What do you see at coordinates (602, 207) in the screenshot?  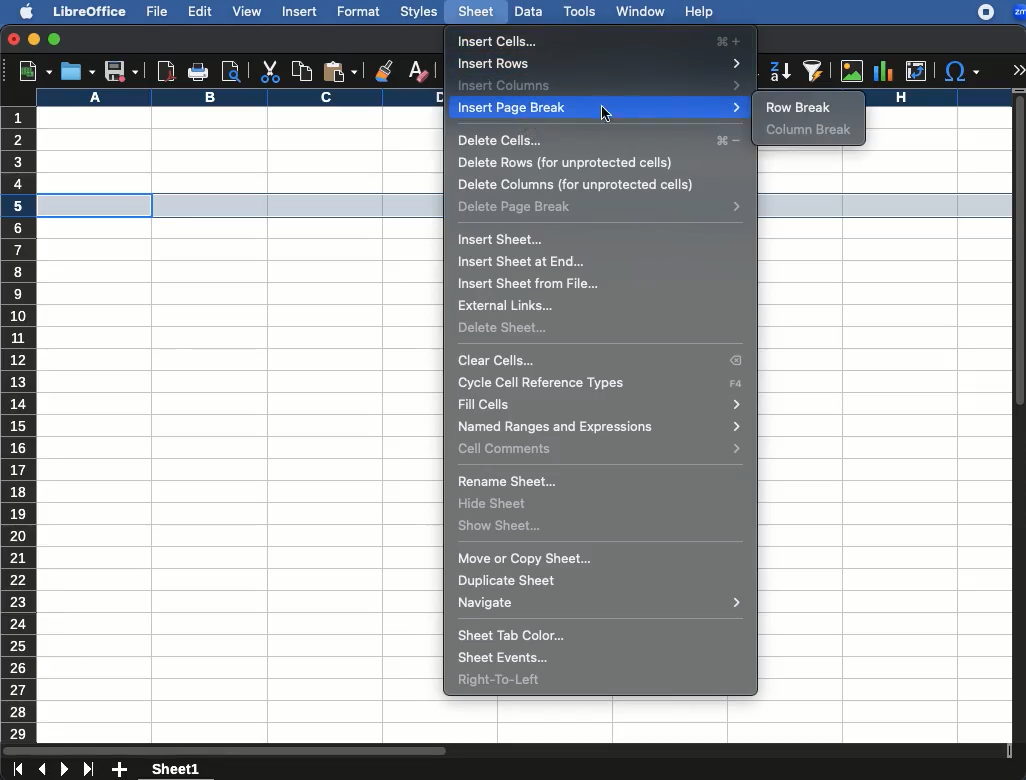 I see `delete page break` at bounding box center [602, 207].